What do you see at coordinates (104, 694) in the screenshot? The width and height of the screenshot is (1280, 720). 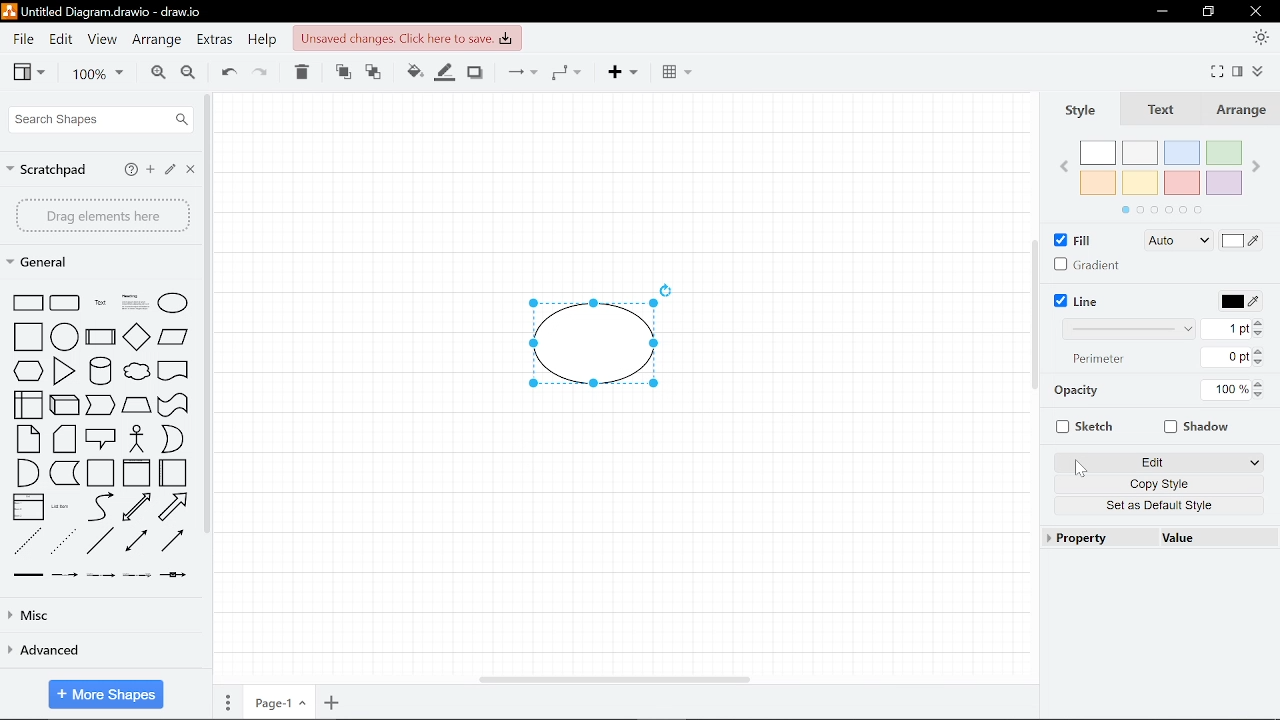 I see `More shapes` at bounding box center [104, 694].